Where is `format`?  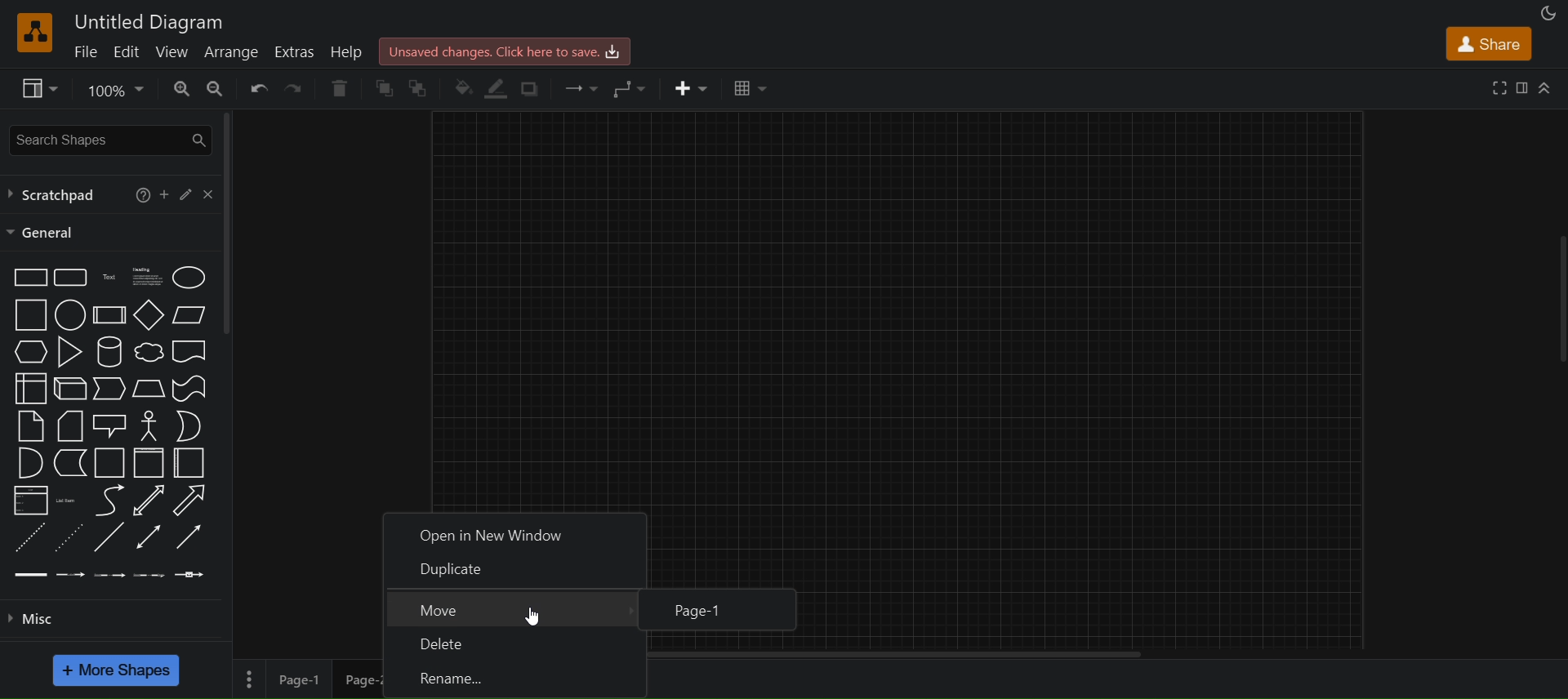 format is located at coordinates (1526, 85).